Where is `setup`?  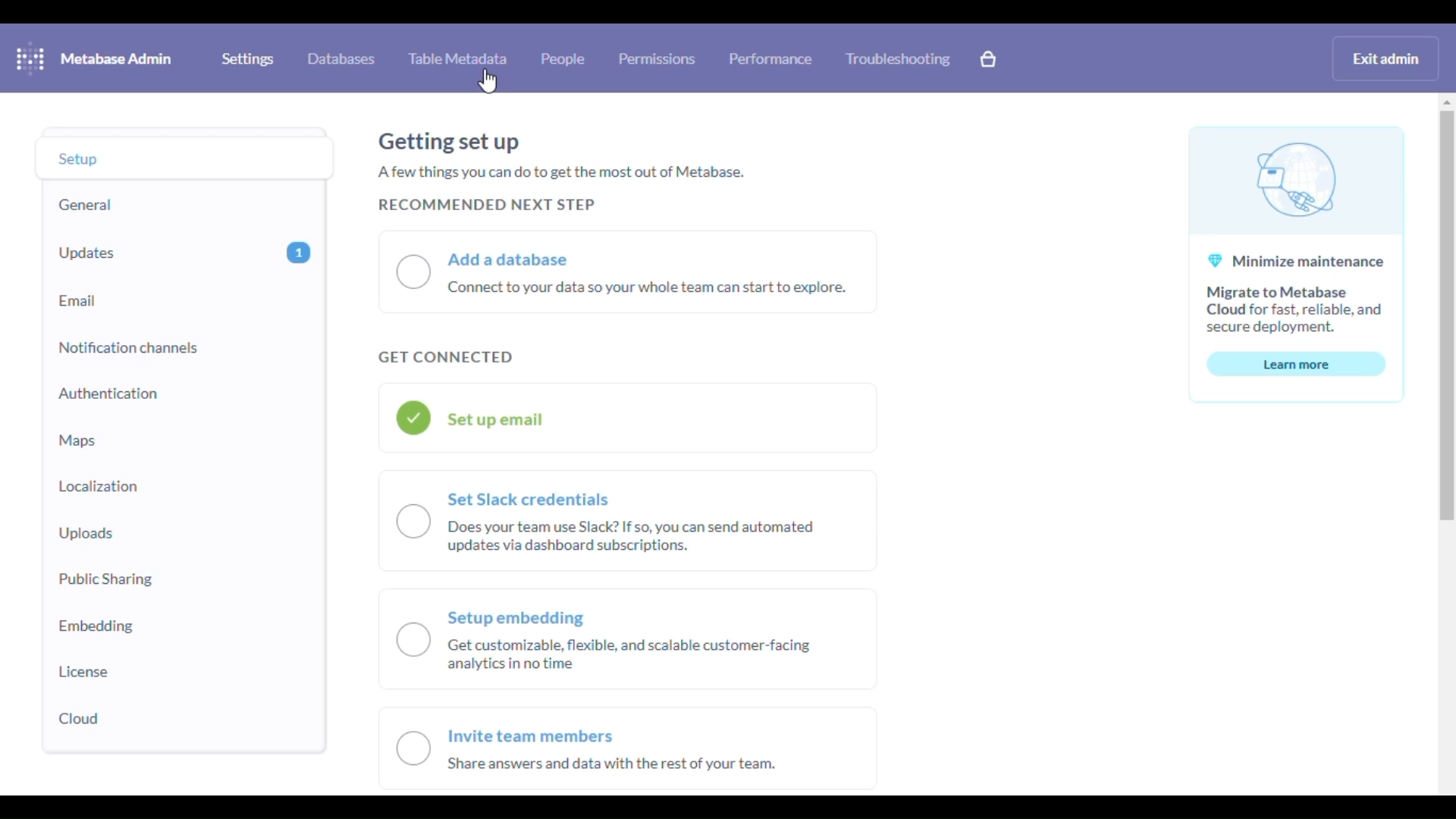
setup is located at coordinates (80, 158).